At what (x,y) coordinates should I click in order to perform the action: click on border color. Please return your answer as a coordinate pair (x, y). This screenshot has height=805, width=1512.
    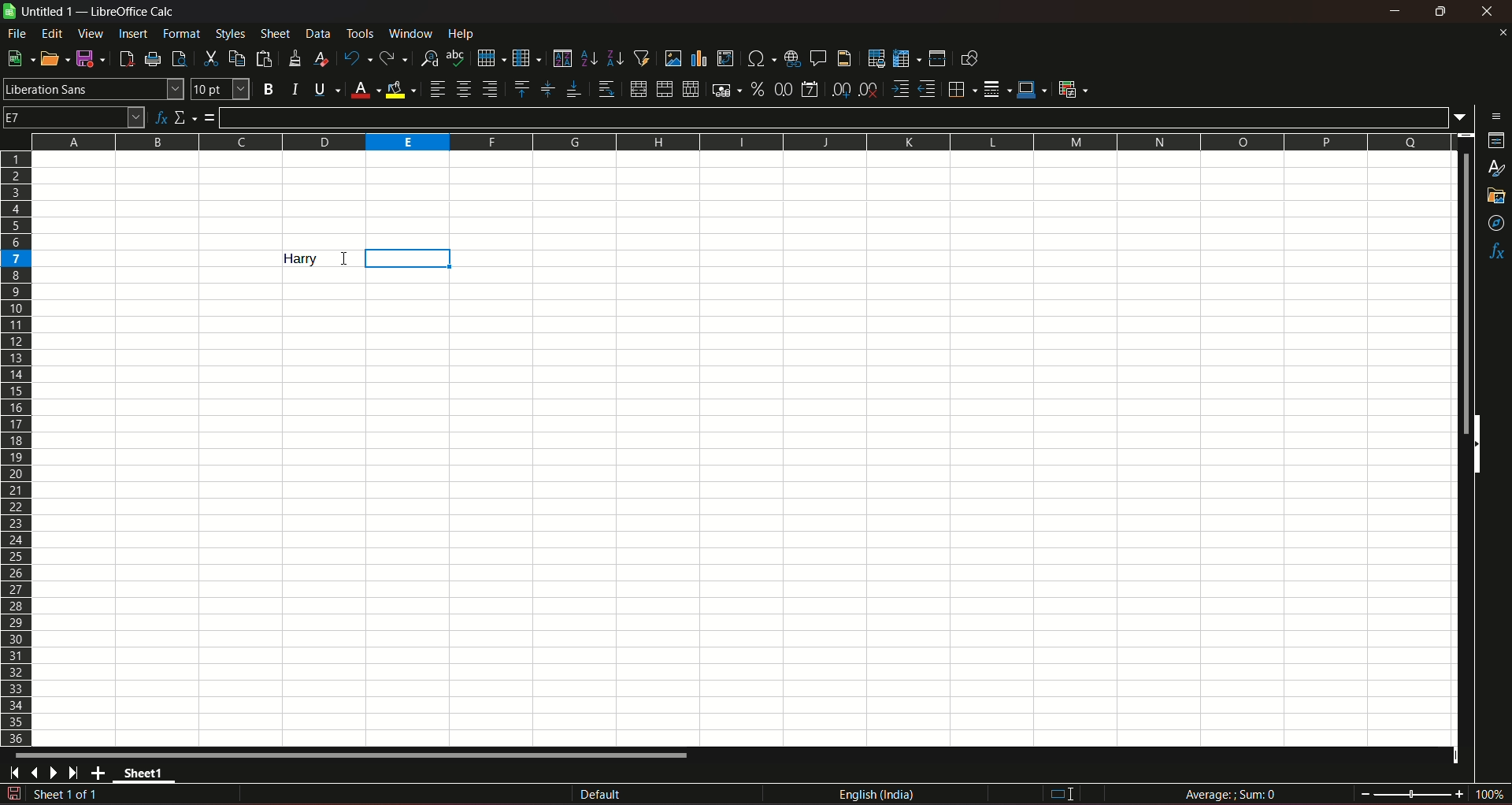
    Looking at the image, I should click on (1032, 88).